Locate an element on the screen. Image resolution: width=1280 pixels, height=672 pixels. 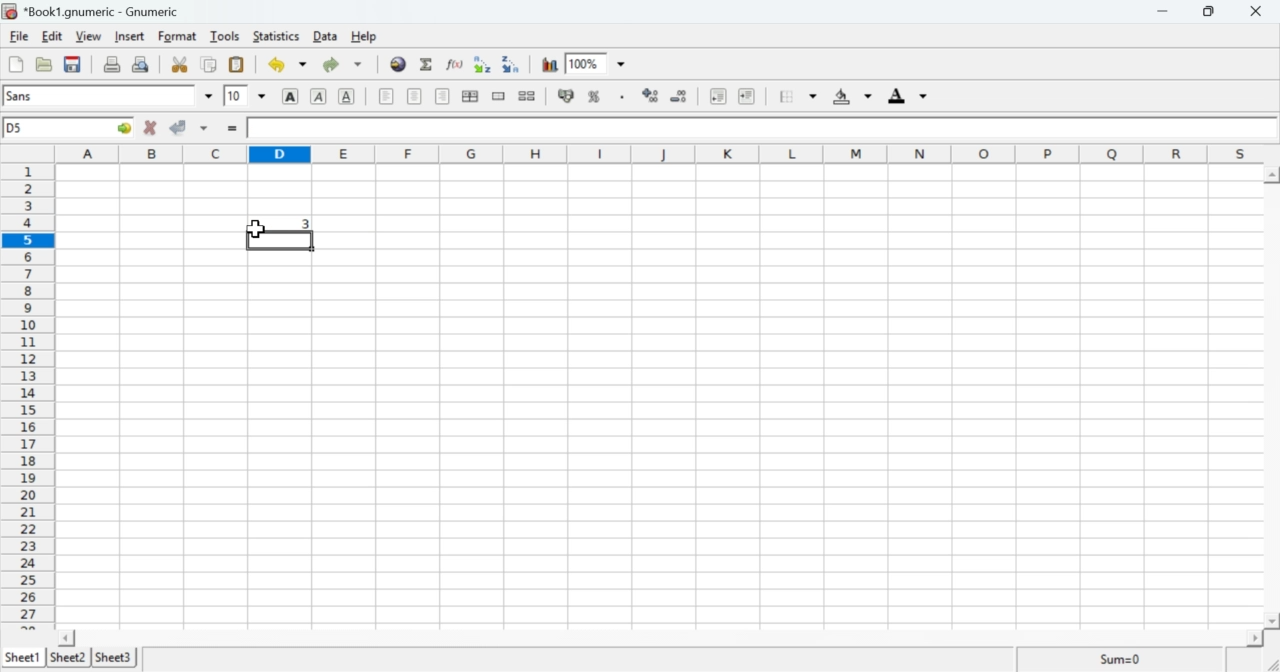
Align right is located at coordinates (416, 98).